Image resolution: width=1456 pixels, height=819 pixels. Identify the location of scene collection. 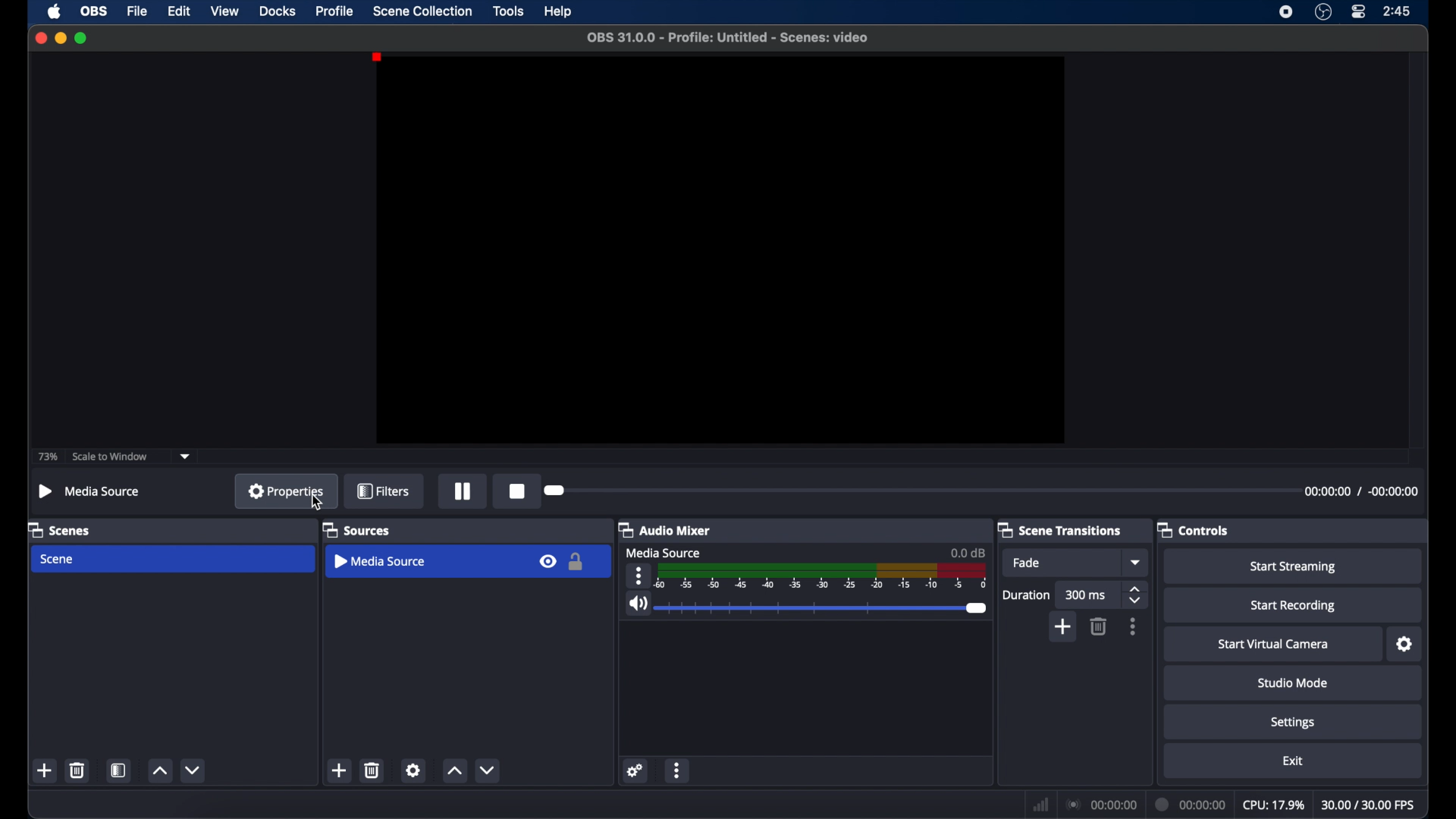
(422, 11).